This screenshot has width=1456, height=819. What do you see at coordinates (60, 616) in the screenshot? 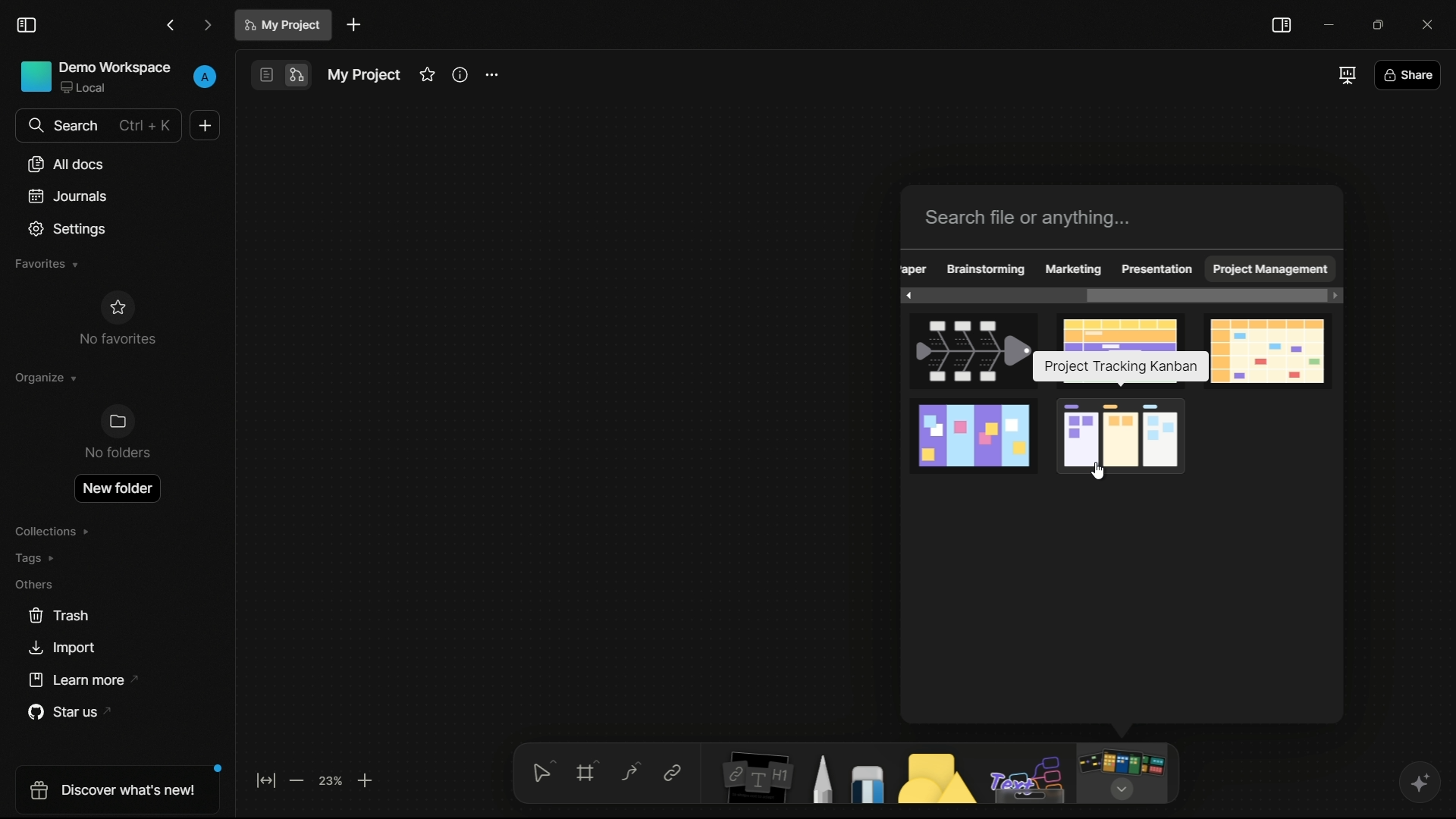
I see `trash` at bounding box center [60, 616].